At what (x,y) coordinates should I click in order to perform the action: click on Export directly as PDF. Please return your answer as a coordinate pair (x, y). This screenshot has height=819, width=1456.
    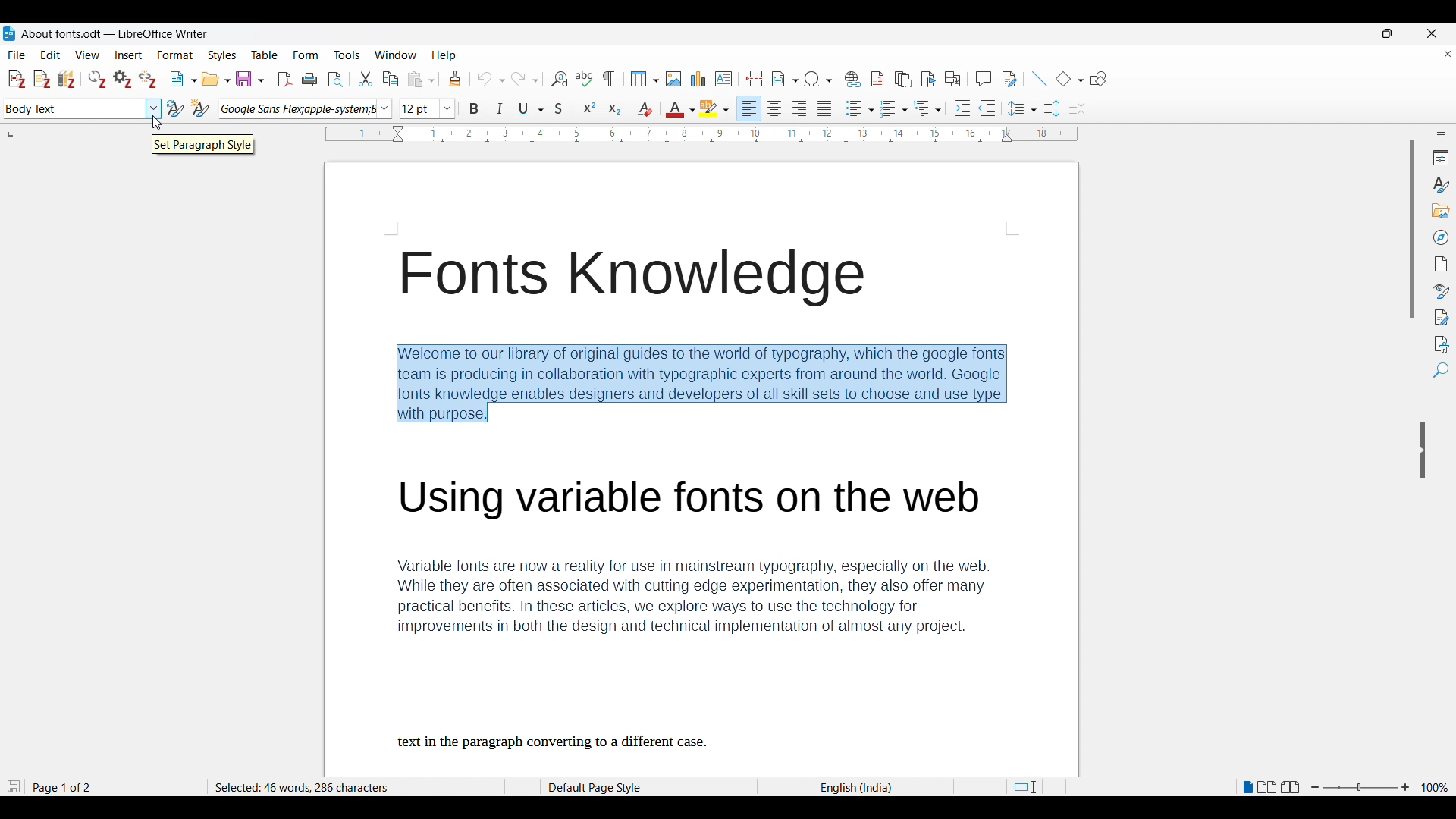
    Looking at the image, I should click on (286, 80).